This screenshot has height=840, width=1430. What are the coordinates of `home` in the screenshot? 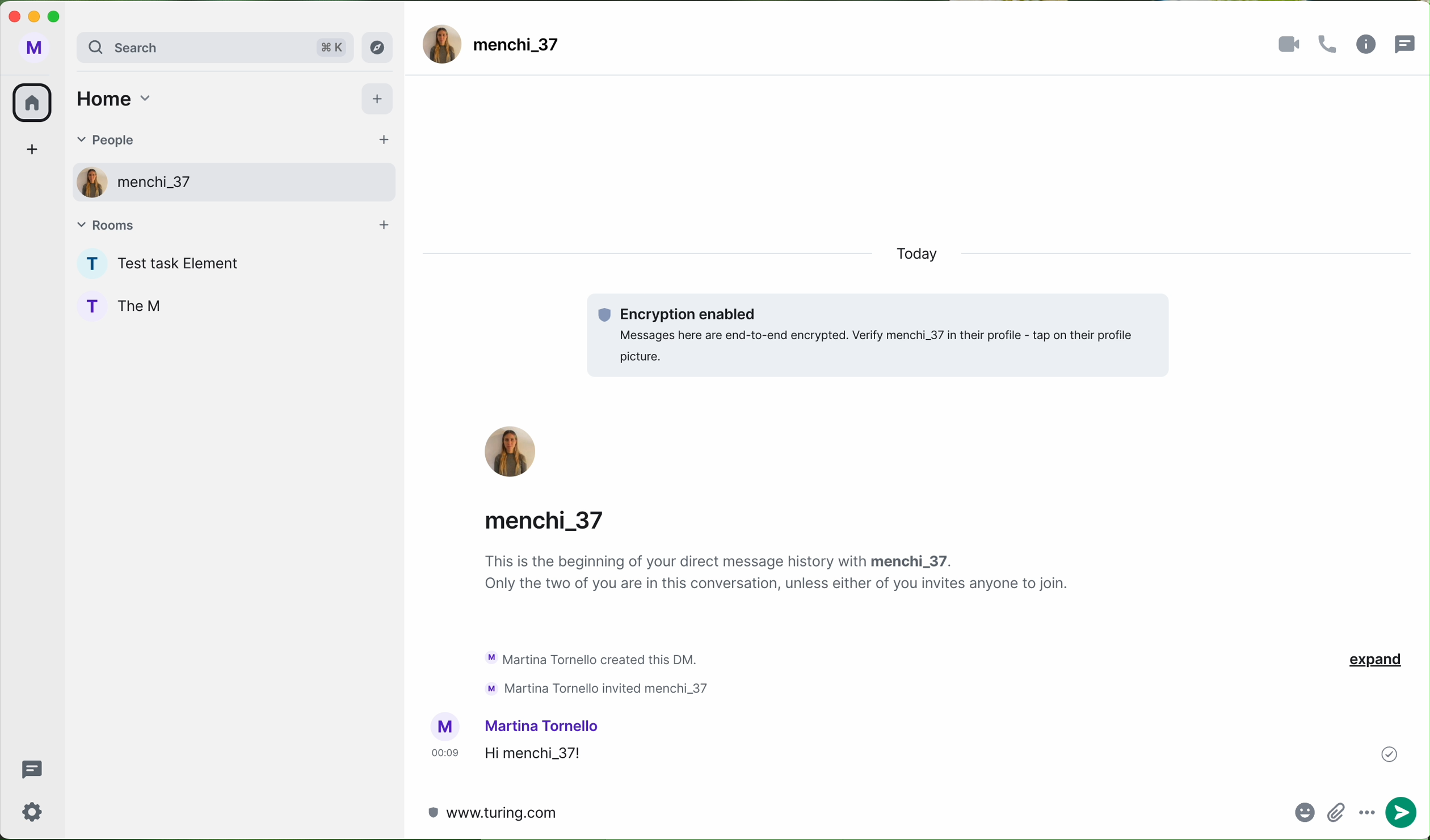 It's located at (112, 98).